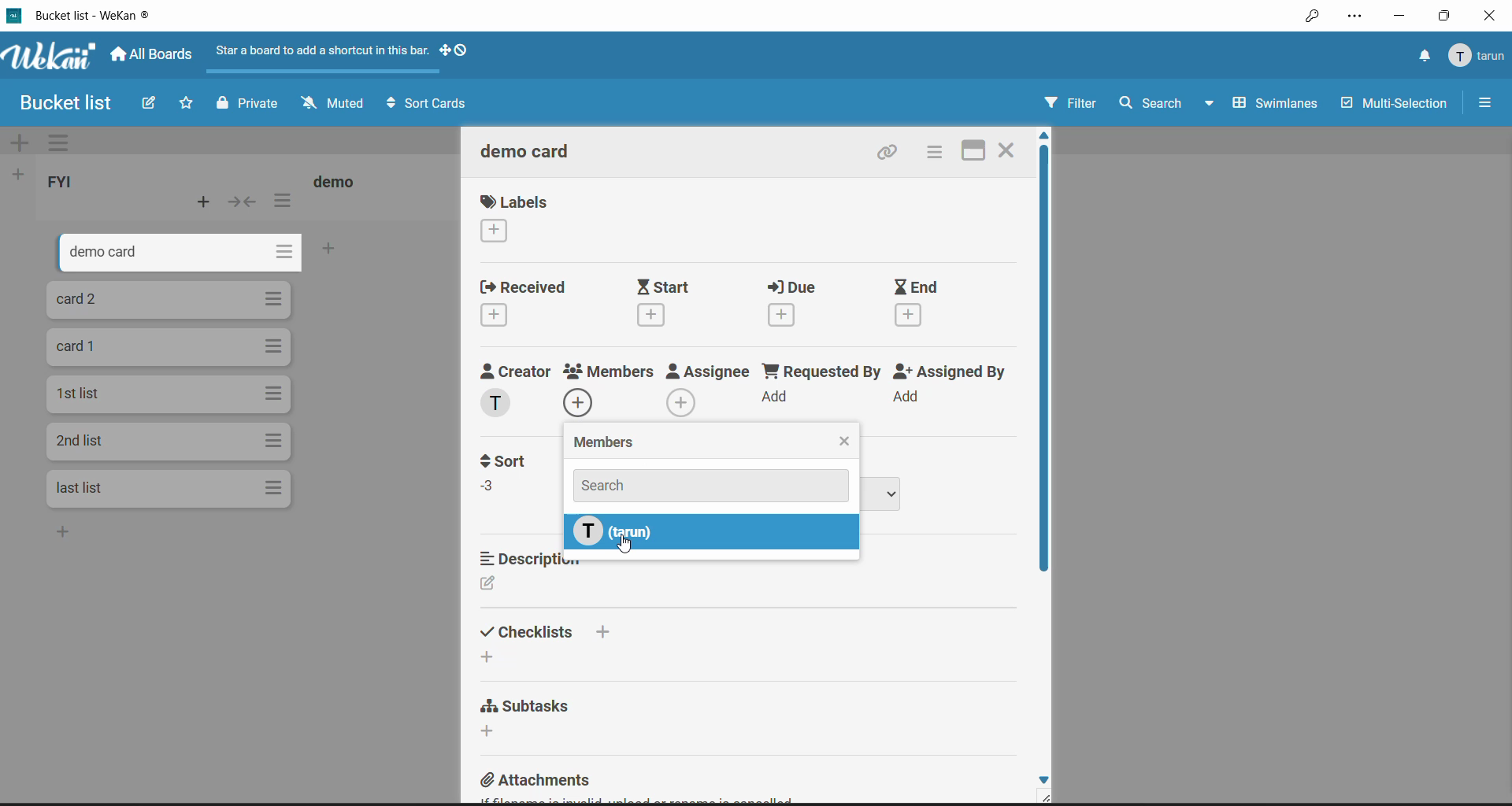 This screenshot has width=1512, height=806. I want to click on vertical scroll bar, so click(1043, 361).